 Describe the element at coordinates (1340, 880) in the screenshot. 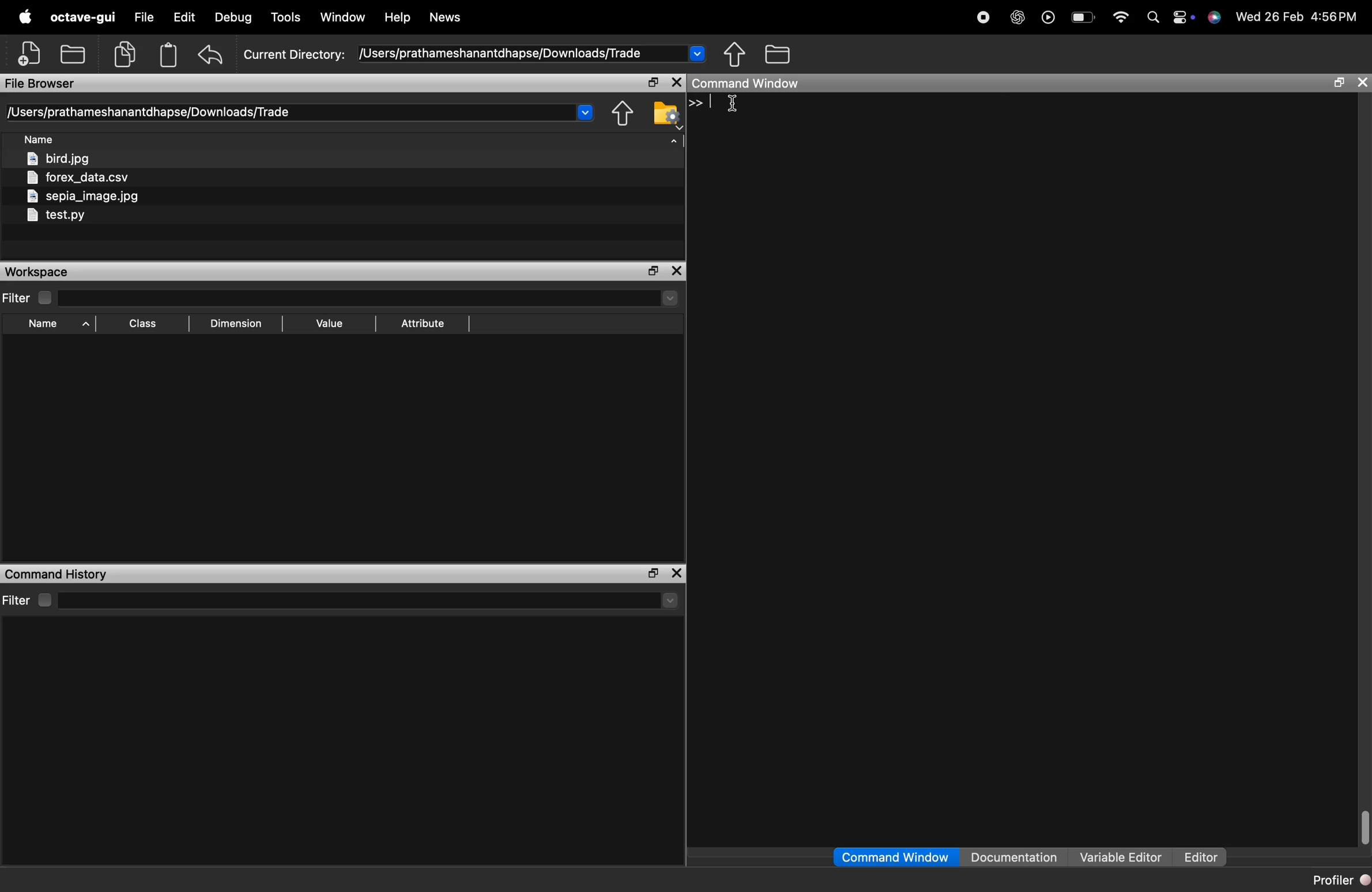

I see `Profiler` at that location.